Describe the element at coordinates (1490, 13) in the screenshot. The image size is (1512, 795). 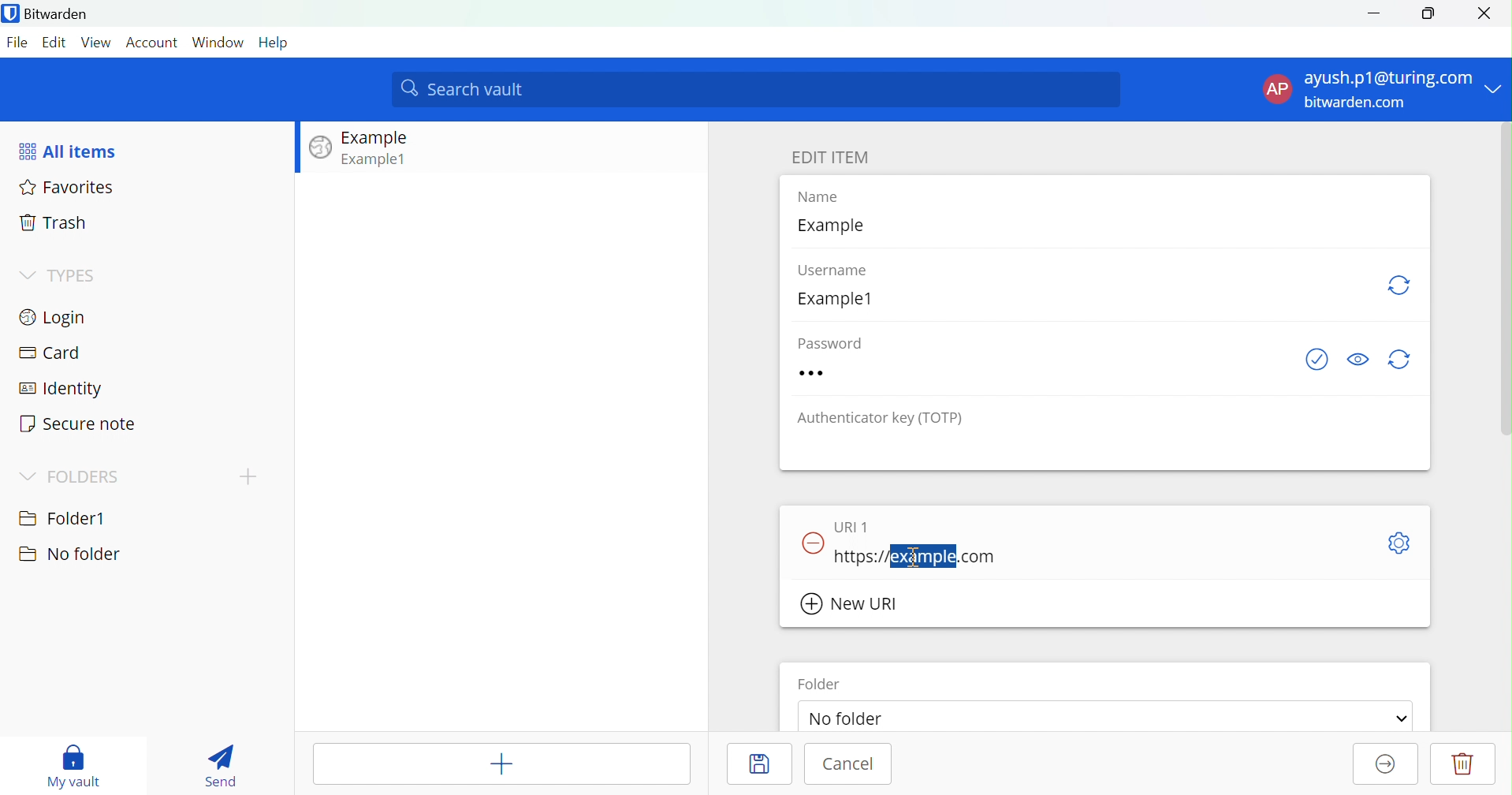
I see `Close` at that location.